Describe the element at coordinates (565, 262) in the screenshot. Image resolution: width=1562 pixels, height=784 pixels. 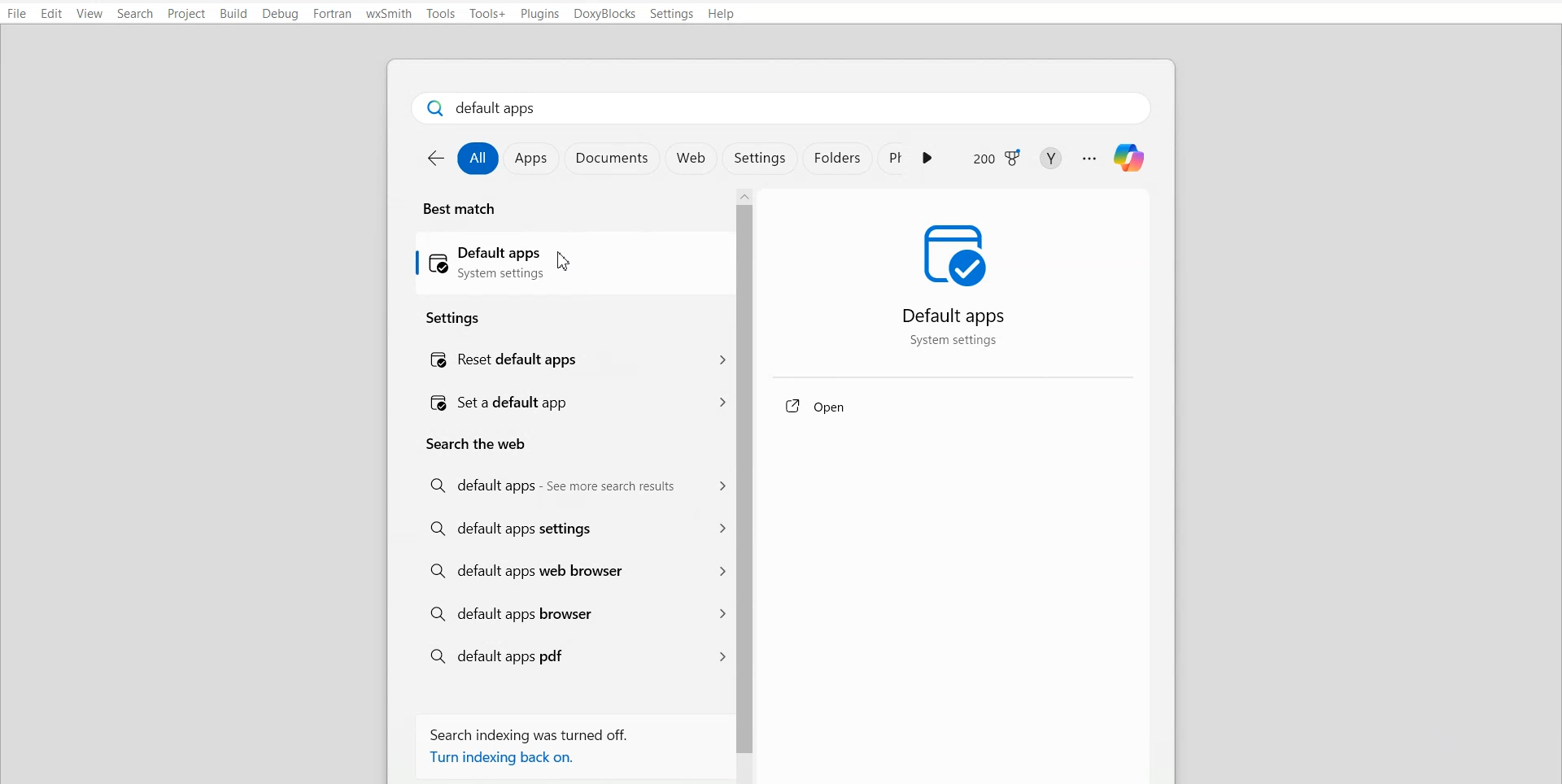
I see `Cursor` at that location.